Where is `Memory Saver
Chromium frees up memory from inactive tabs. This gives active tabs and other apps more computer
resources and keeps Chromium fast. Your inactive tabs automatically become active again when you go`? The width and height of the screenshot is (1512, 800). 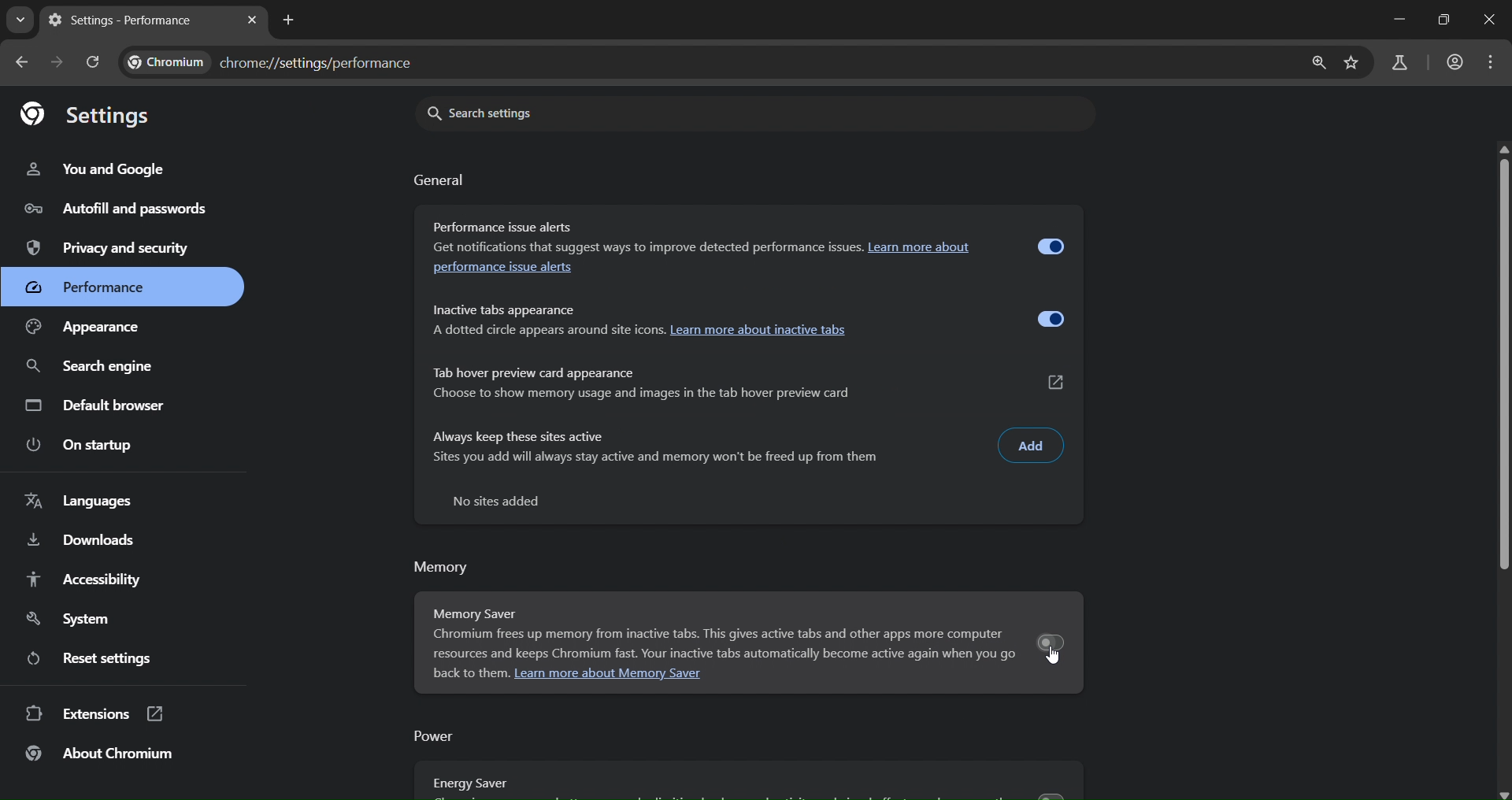 Memory Saver
Chromium frees up memory from inactive tabs. This gives active tabs and other apps more computer
resources and keeps Chromium fast. Your inactive tabs automatically become active again when you go is located at coordinates (727, 632).